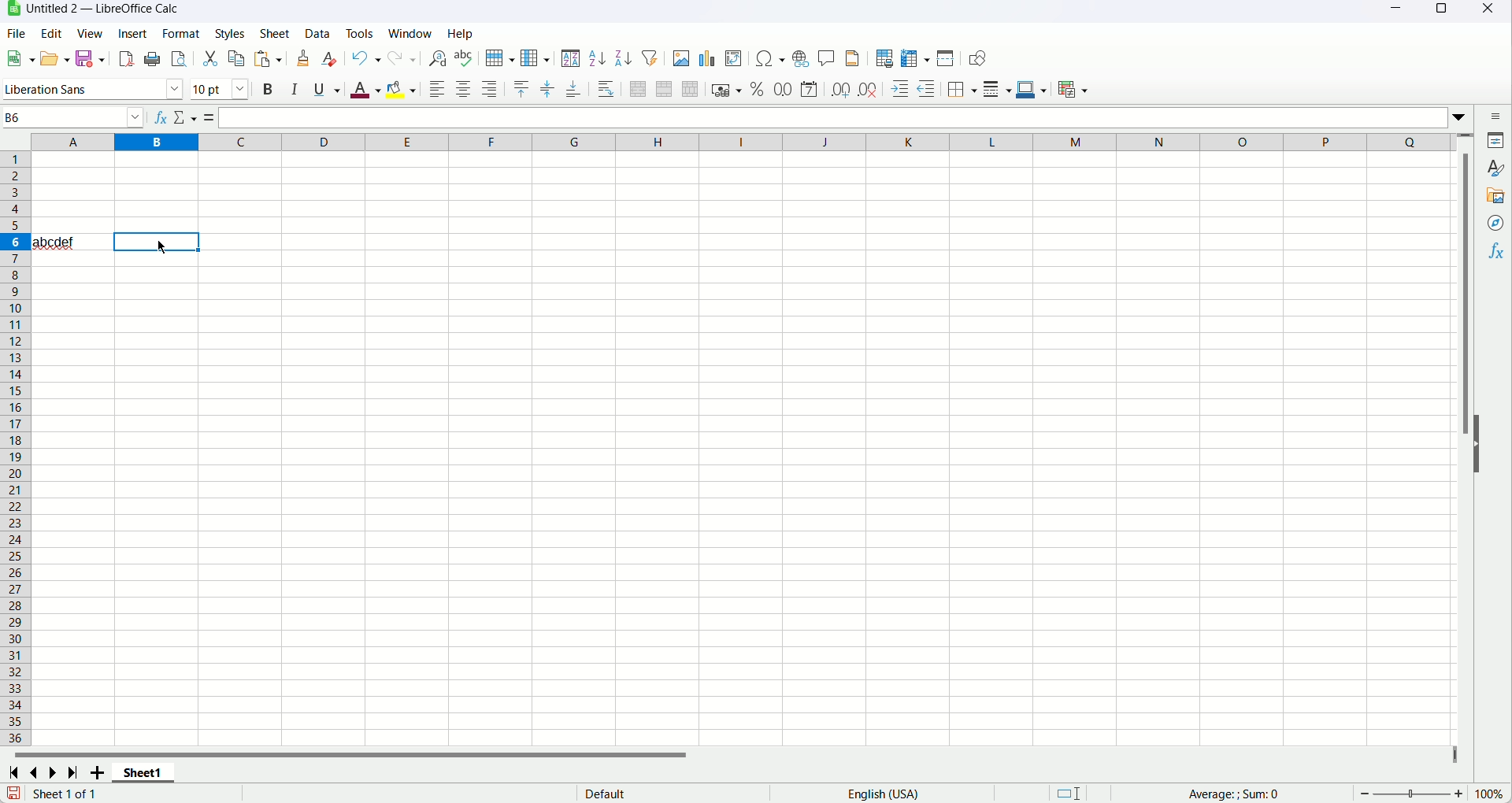 This screenshot has height=803, width=1512. Describe the element at coordinates (734, 753) in the screenshot. I see `horizontal scroll bar` at that location.